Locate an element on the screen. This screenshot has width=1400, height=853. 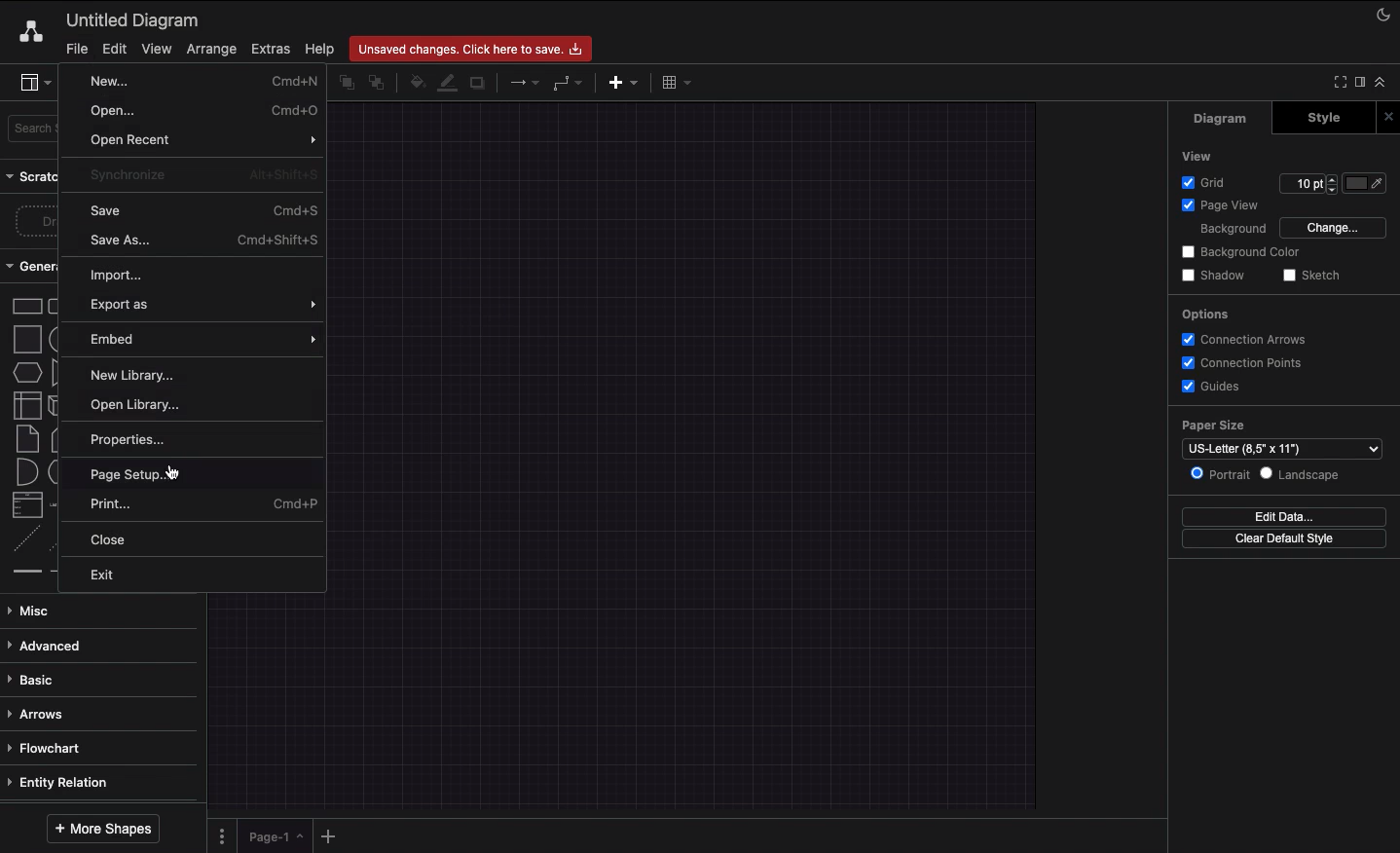
New library  is located at coordinates (138, 374).